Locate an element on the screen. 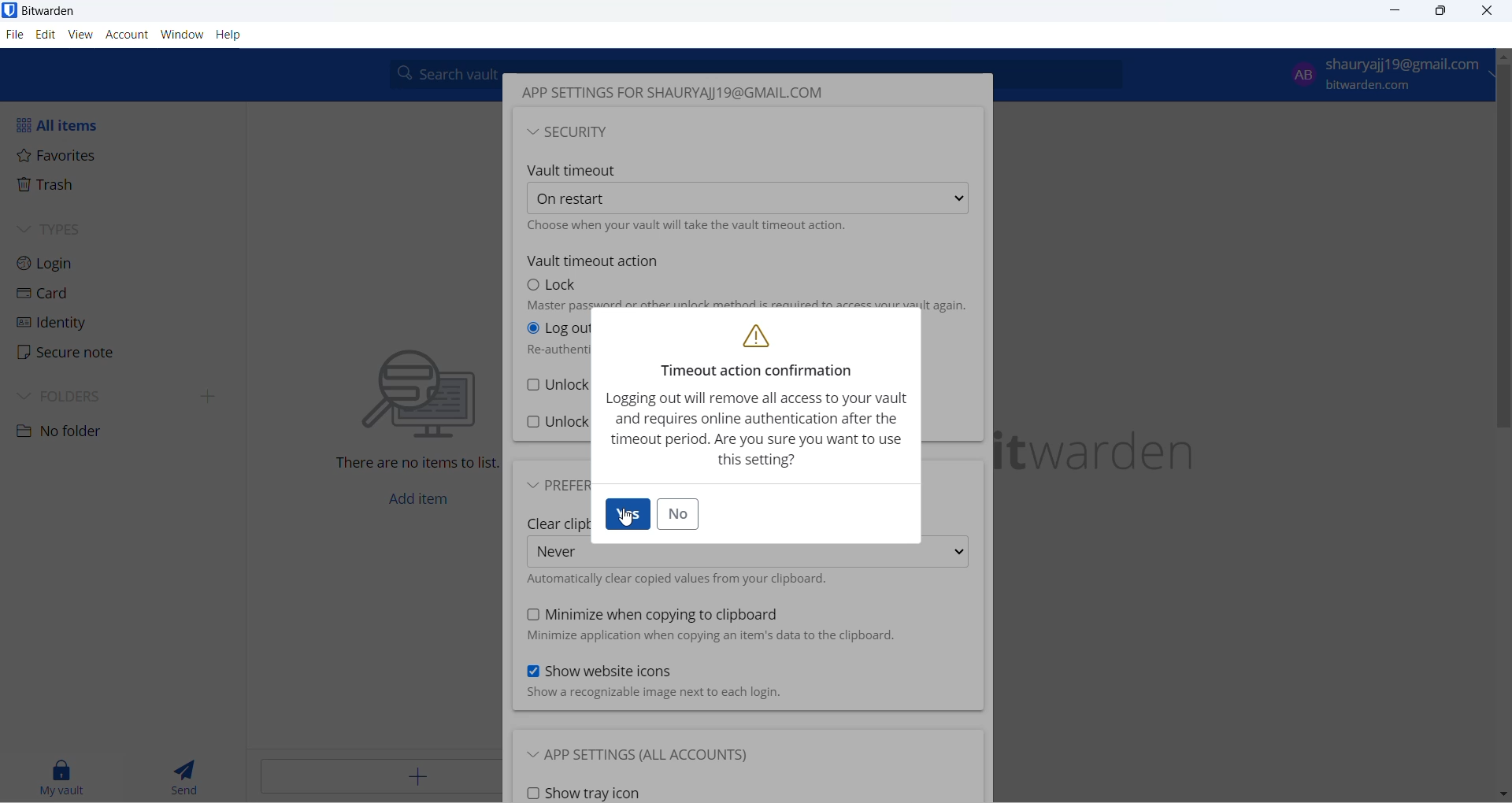  clear clipboard options is located at coordinates (748, 553).